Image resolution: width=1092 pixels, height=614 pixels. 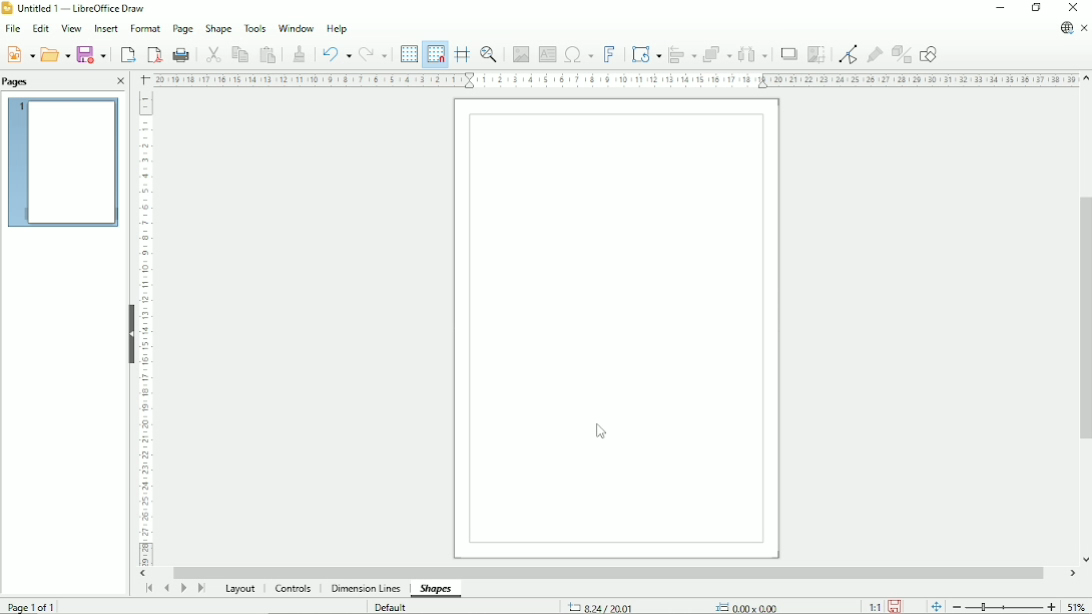 What do you see at coordinates (718, 54) in the screenshot?
I see `Arrange` at bounding box center [718, 54].